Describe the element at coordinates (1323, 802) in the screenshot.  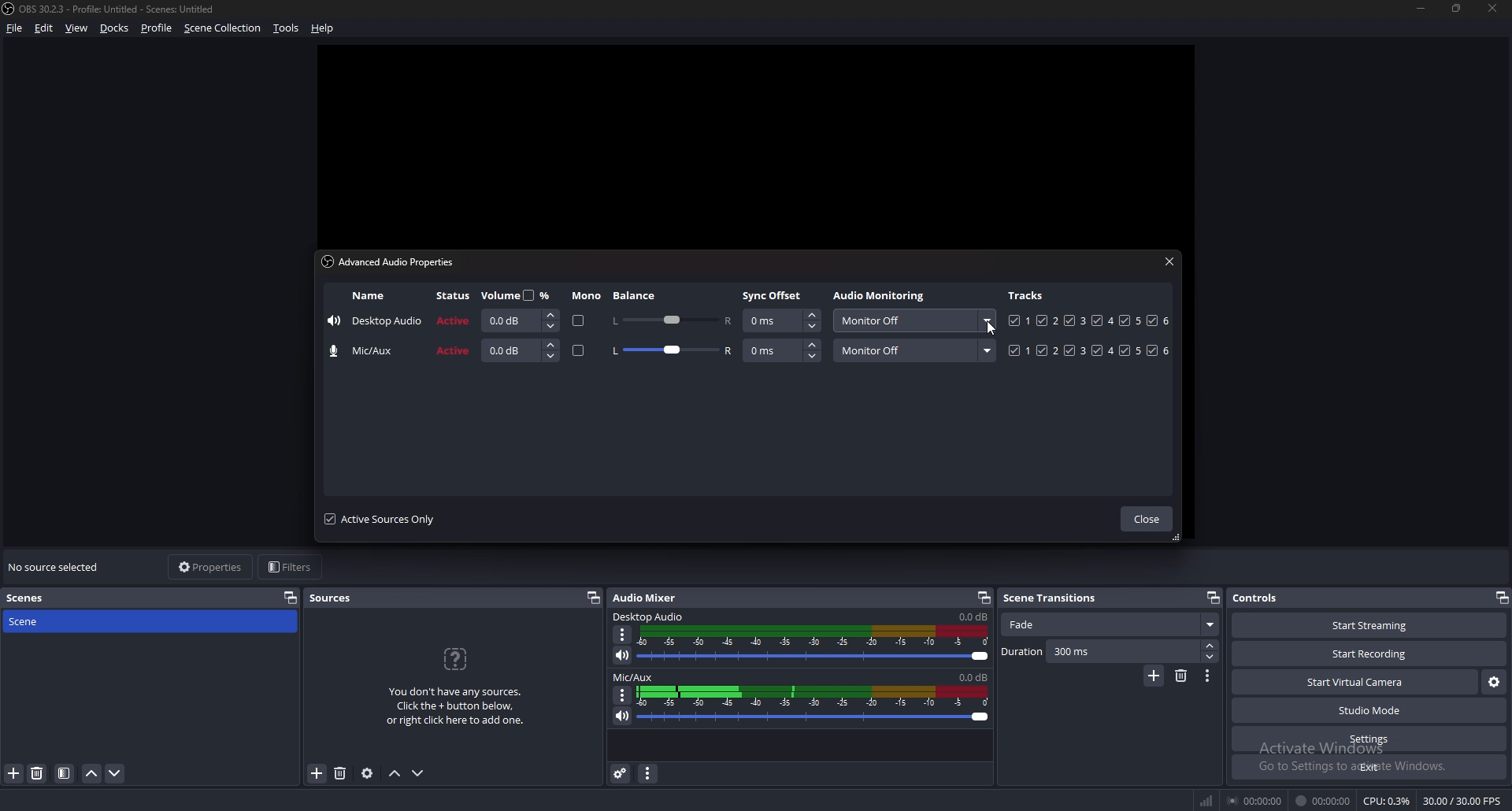
I see `00:00:00` at that location.